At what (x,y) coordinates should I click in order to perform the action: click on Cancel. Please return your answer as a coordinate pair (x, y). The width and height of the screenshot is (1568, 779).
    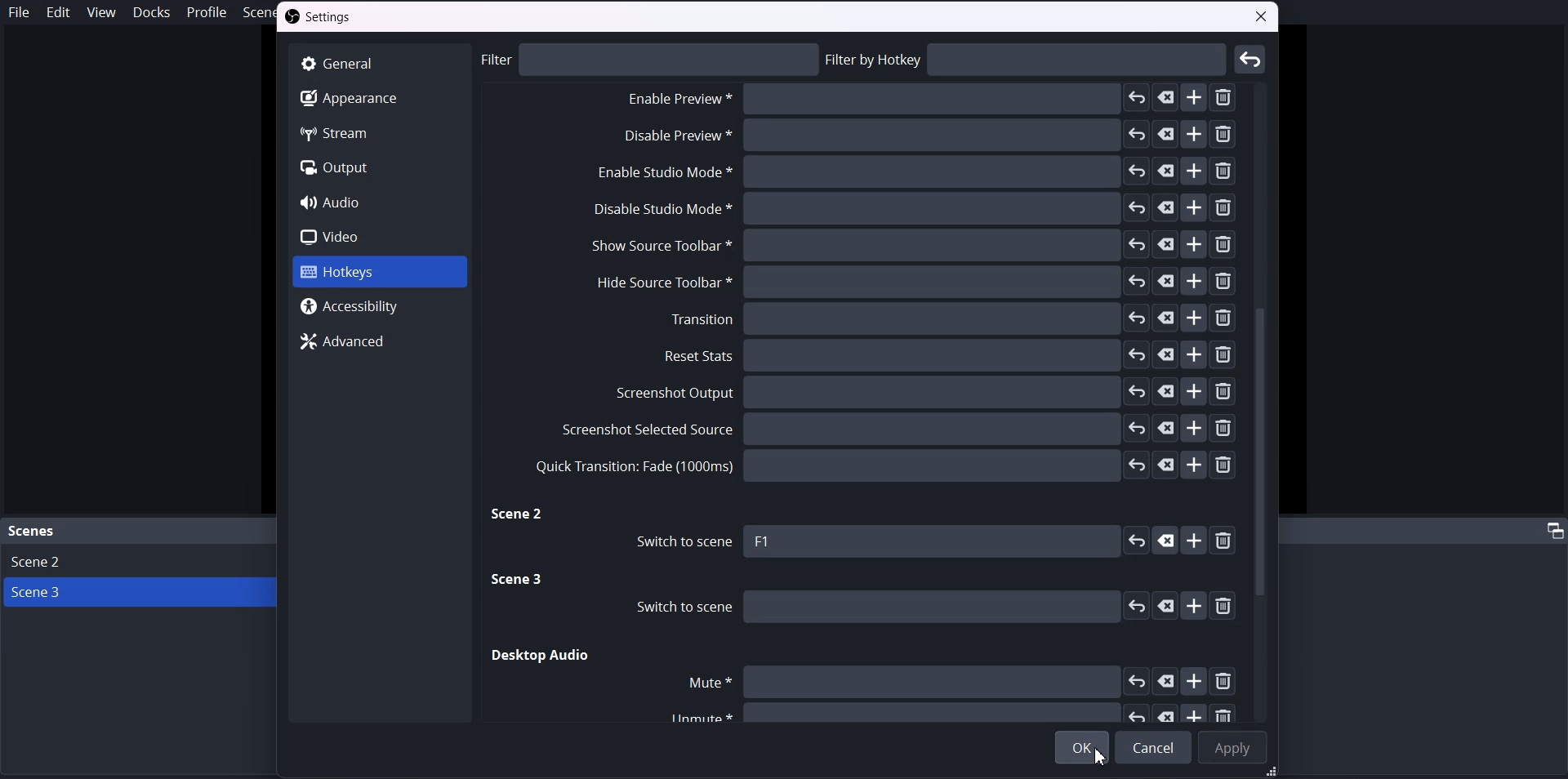
    Looking at the image, I should click on (1153, 747).